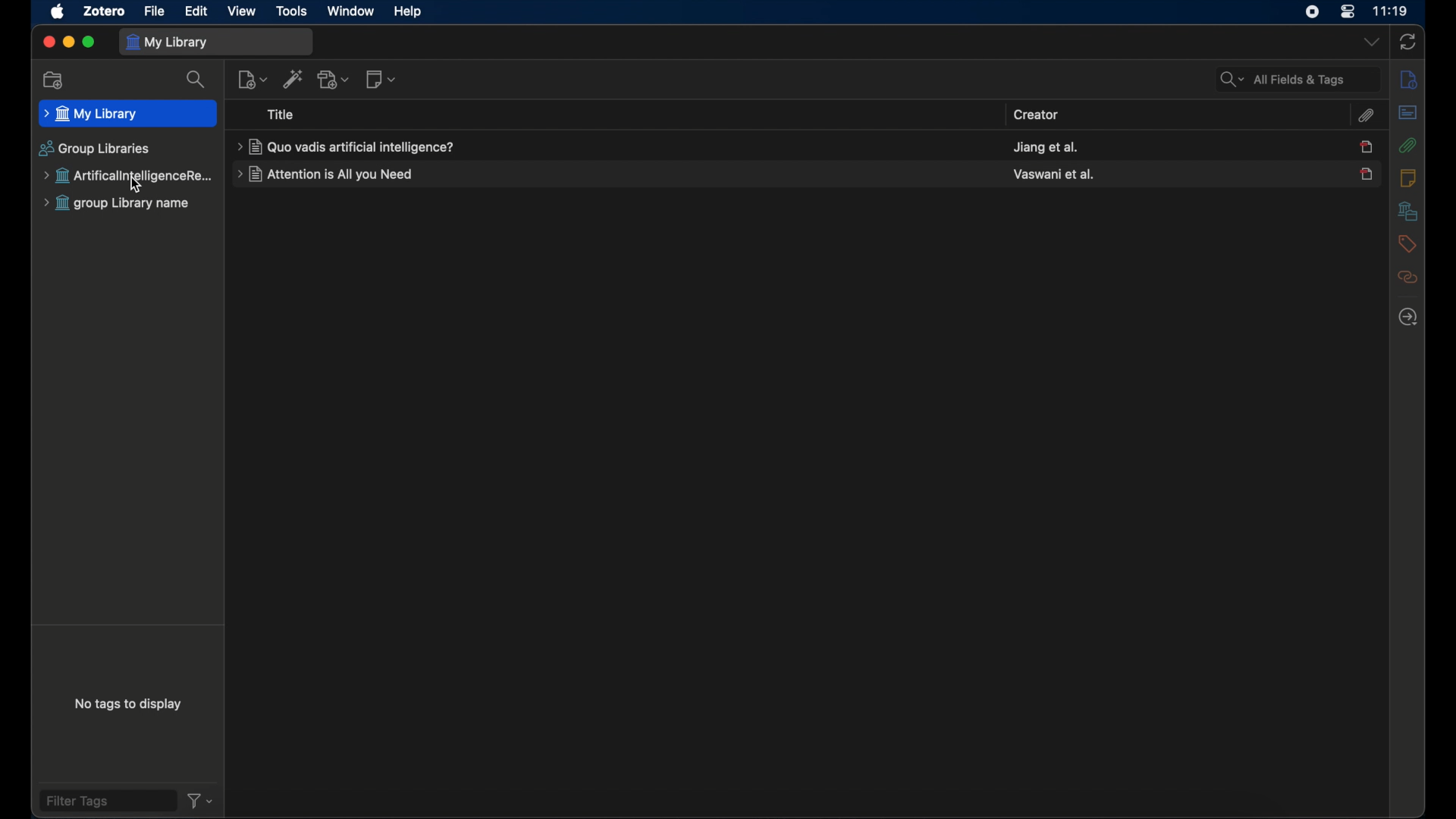 This screenshot has height=819, width=1456. What do you see at coordinates (1312, 12) in the screenshot?
I see `screen recorder` at bounding box center [1312, 12].